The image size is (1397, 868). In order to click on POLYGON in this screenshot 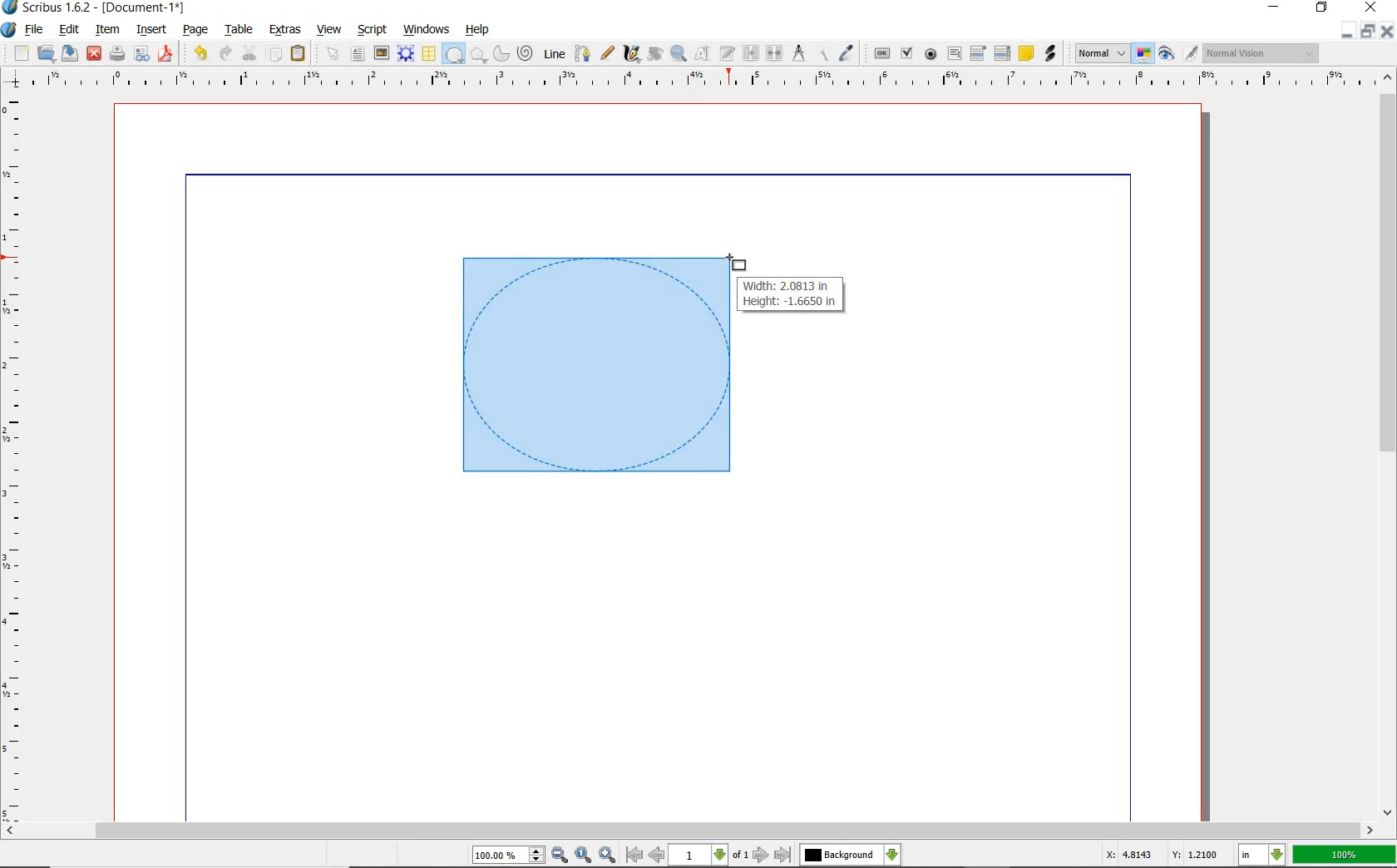, I will do `click(478, 55)`.